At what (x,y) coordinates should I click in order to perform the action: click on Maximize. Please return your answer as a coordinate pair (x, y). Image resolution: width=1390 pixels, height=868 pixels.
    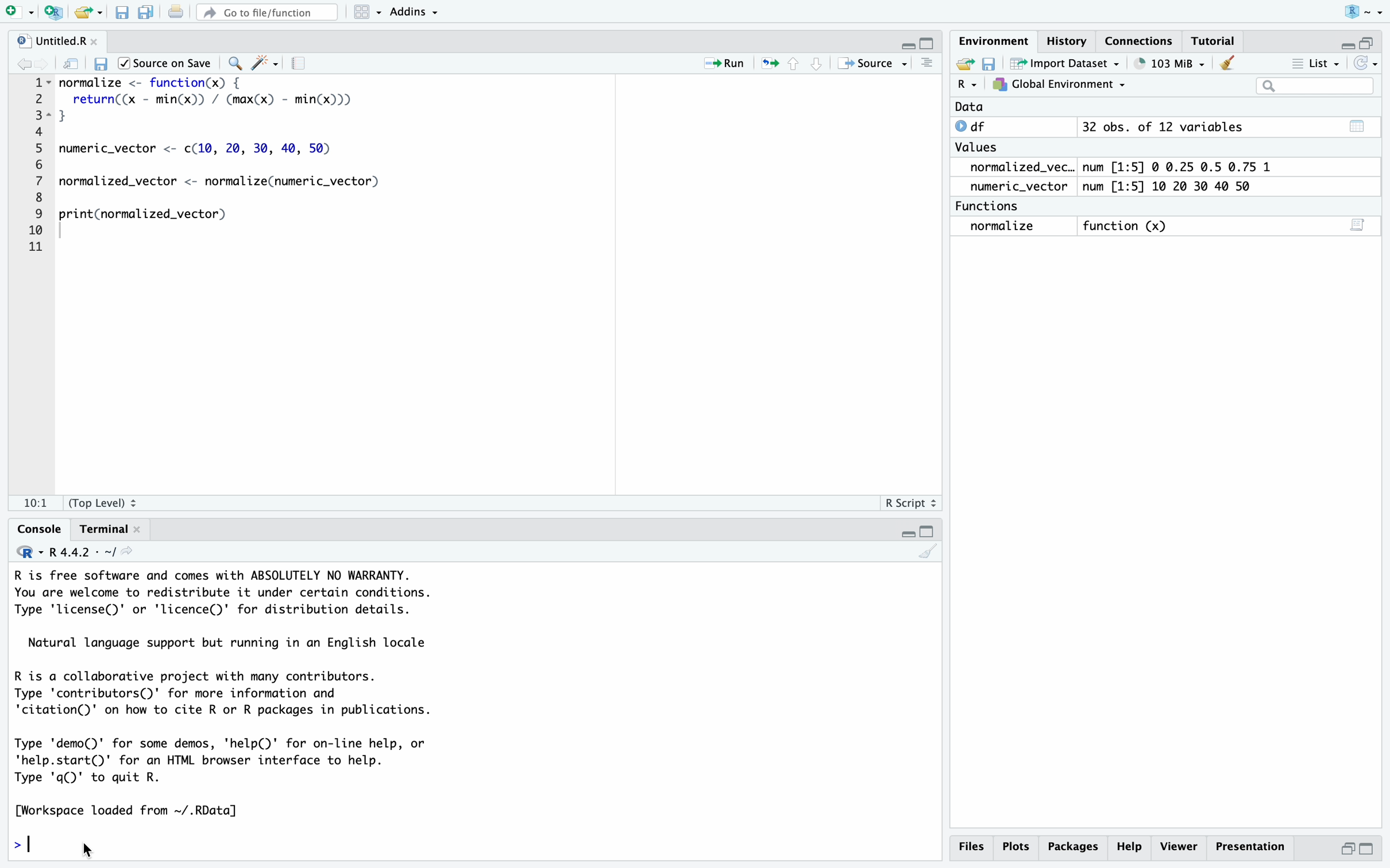
    Looking at the image, I should click on (929, 44).